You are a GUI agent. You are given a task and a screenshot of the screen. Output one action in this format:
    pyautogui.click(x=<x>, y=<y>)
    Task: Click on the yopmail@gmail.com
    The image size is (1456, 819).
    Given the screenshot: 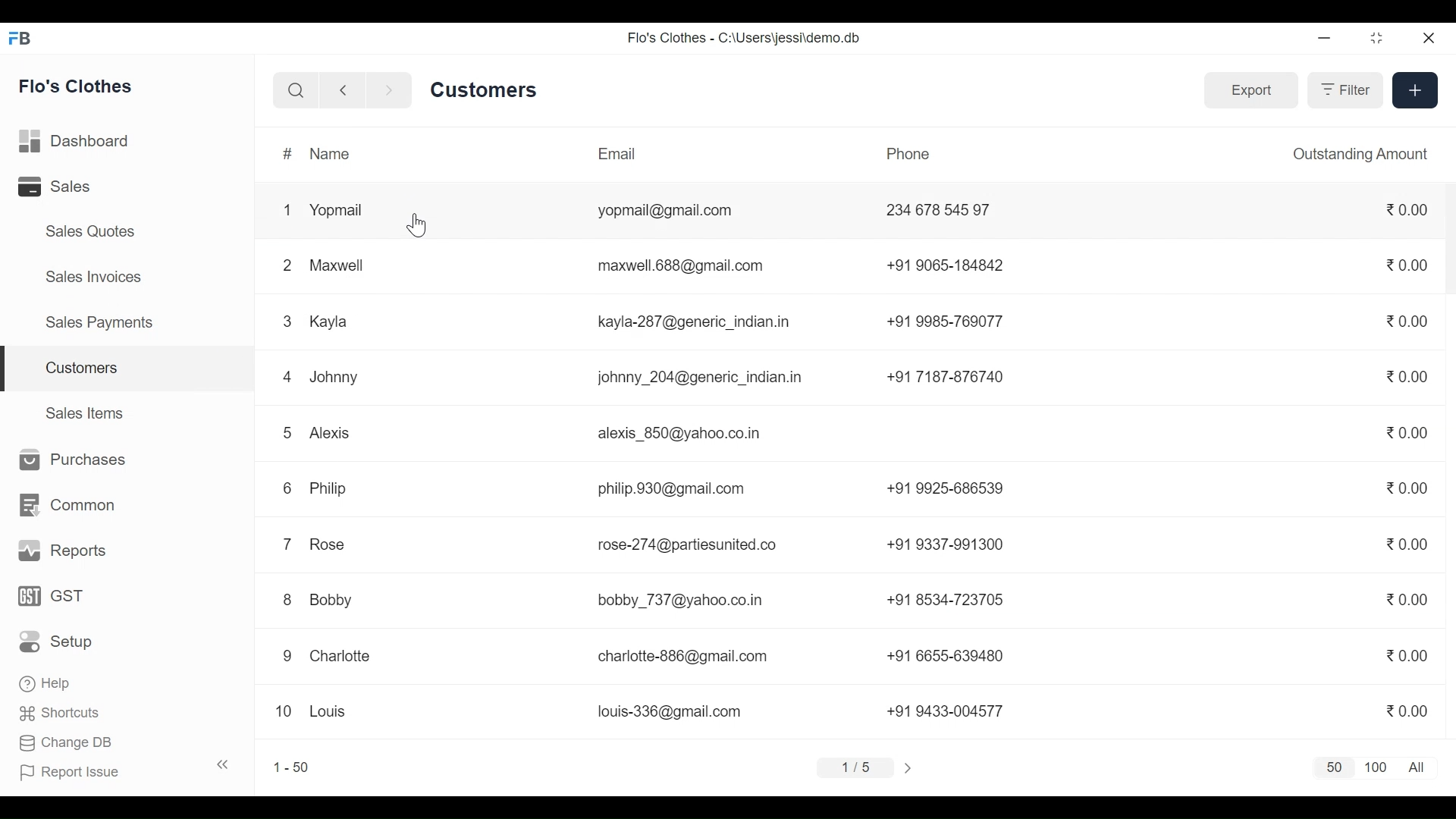 What is the action you would take?
    pyautogui.click(x=666, y=211)
    